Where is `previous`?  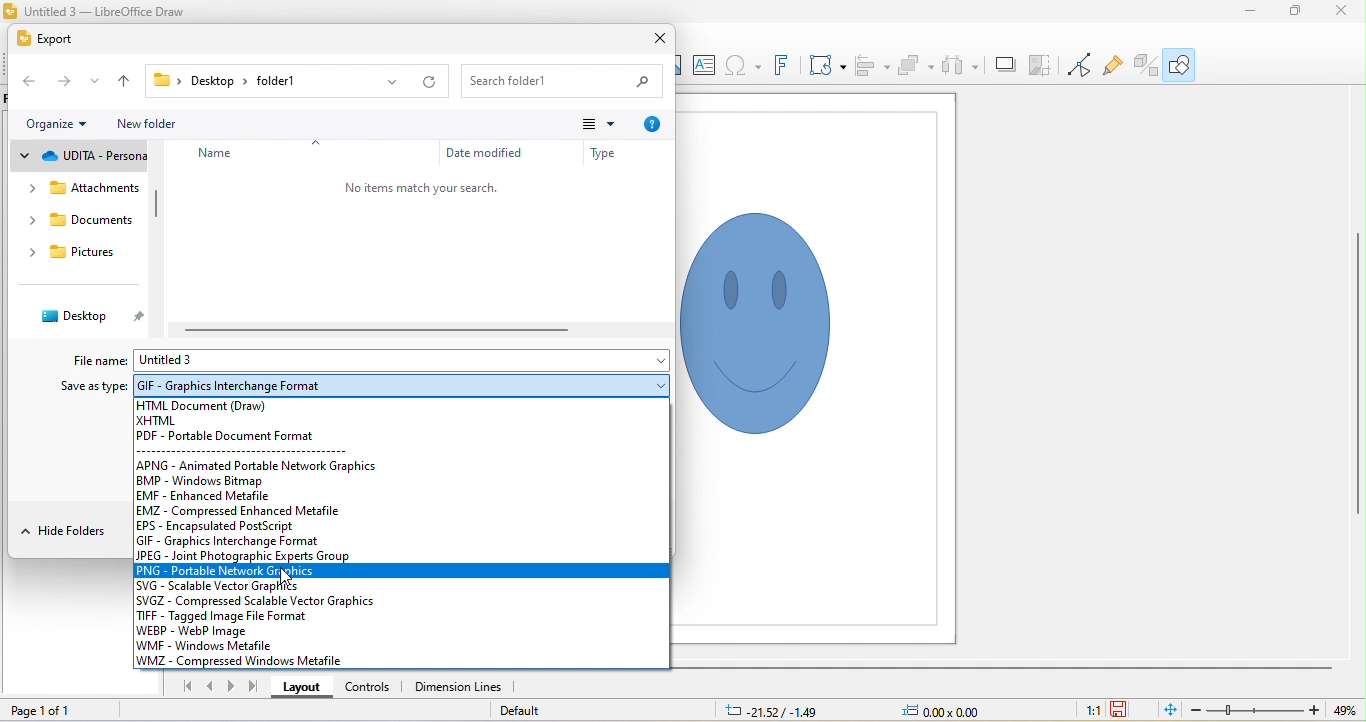
previous is located at coordinates (210, 687).